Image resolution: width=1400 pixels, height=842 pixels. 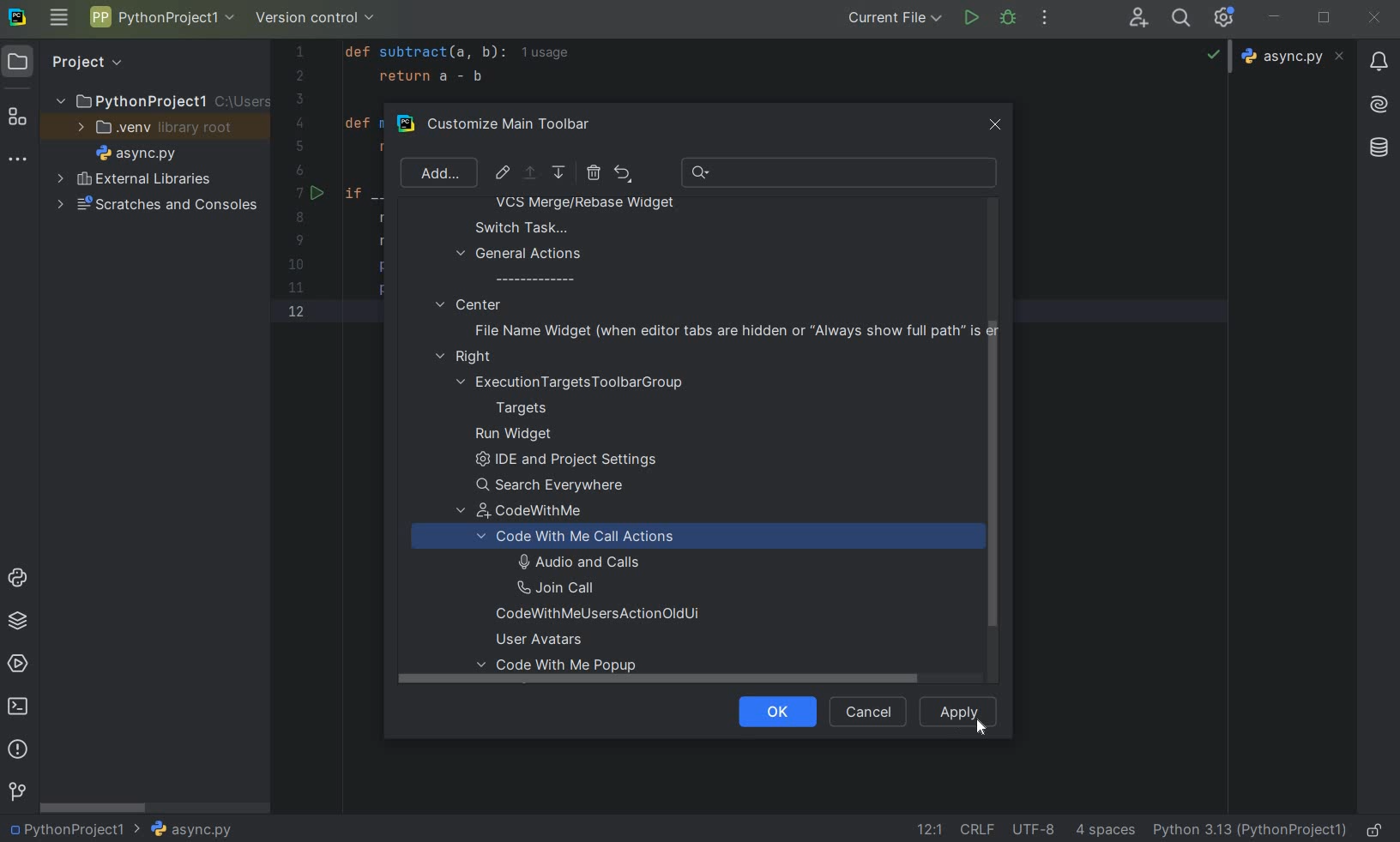 I want to click on CUSTOMIZE MAIN TOOLBAR, so click(x=520, y=125).